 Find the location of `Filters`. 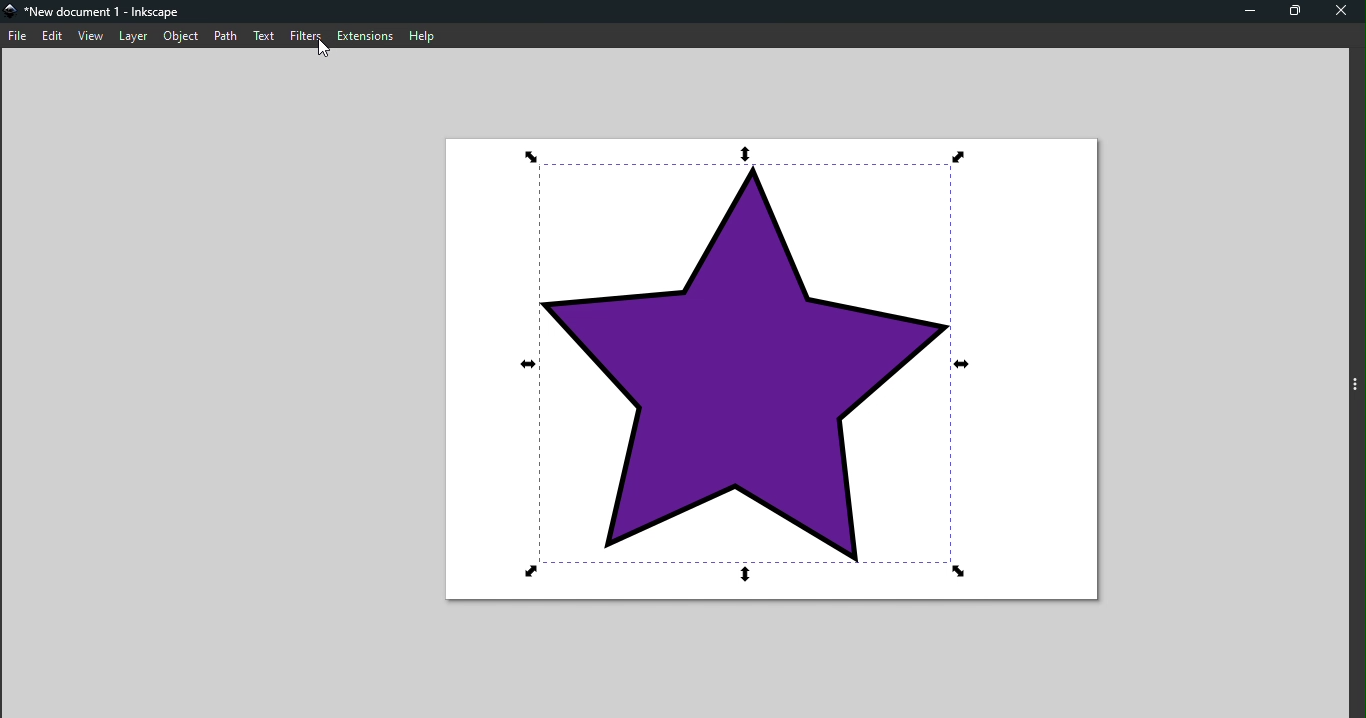

Filters is located at coordinates (305, 35).